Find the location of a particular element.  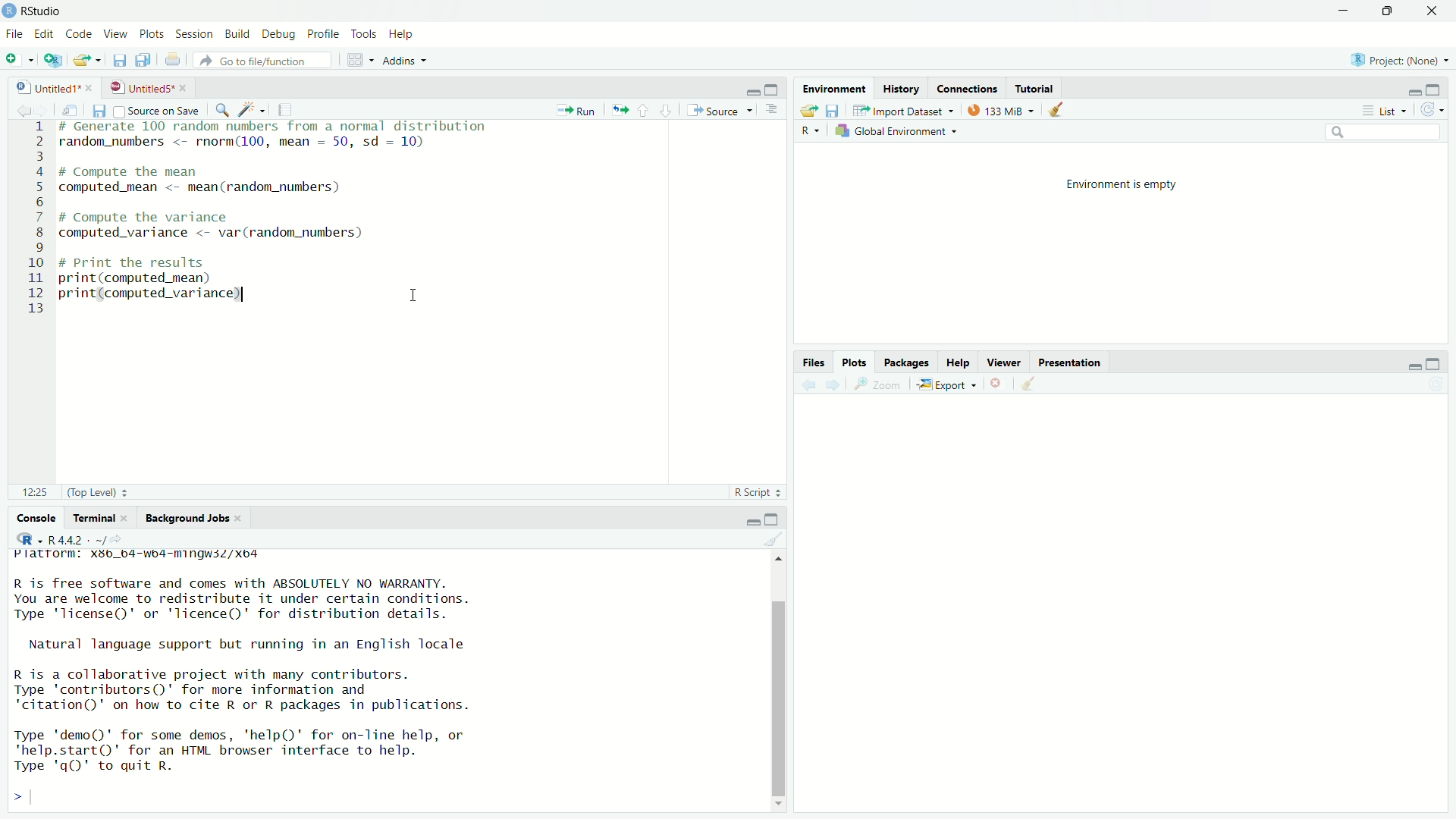

save current document is located at coordinates (117, 60).